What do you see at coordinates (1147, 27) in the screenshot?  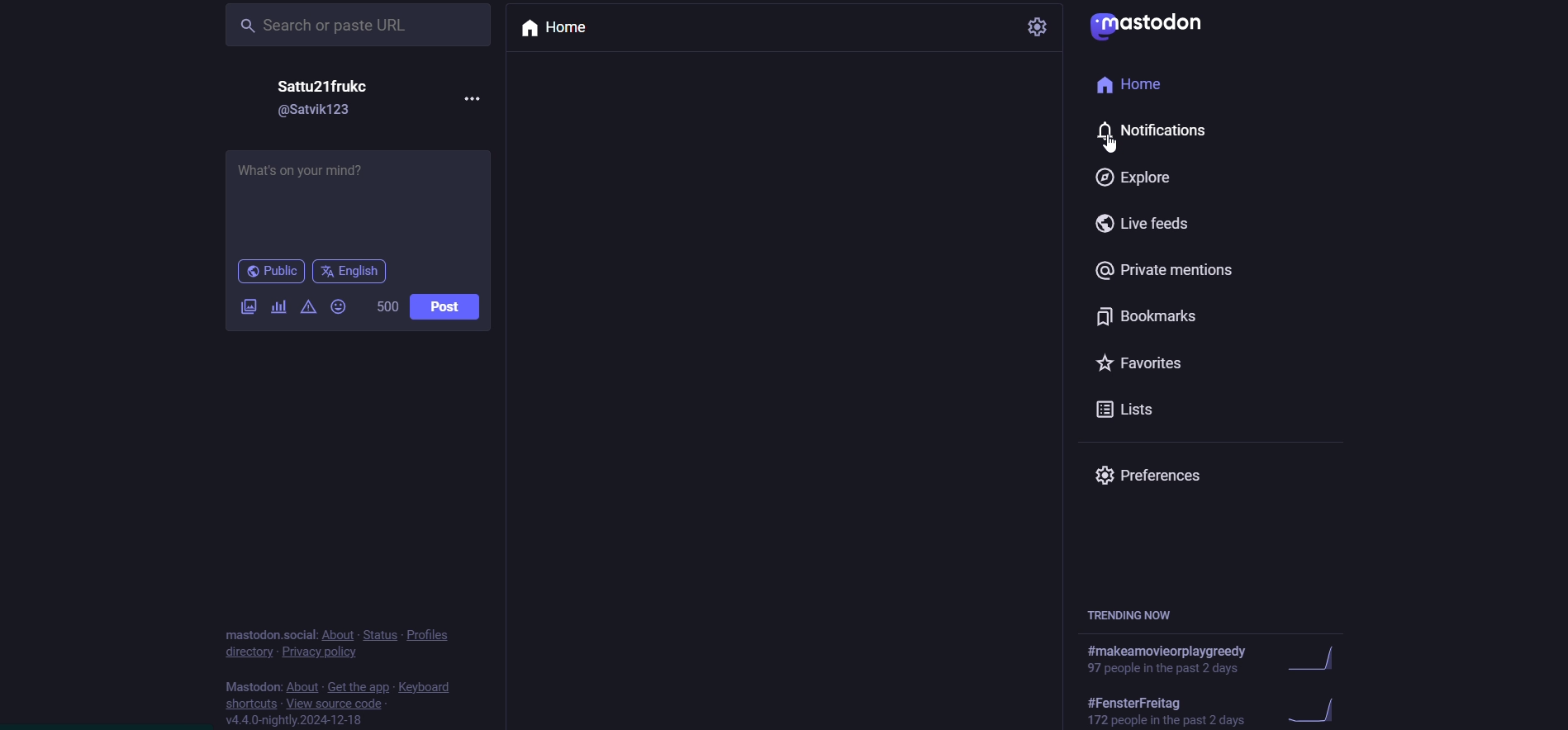 I see `Mastodon logo` at bounding box center [1147, 27].